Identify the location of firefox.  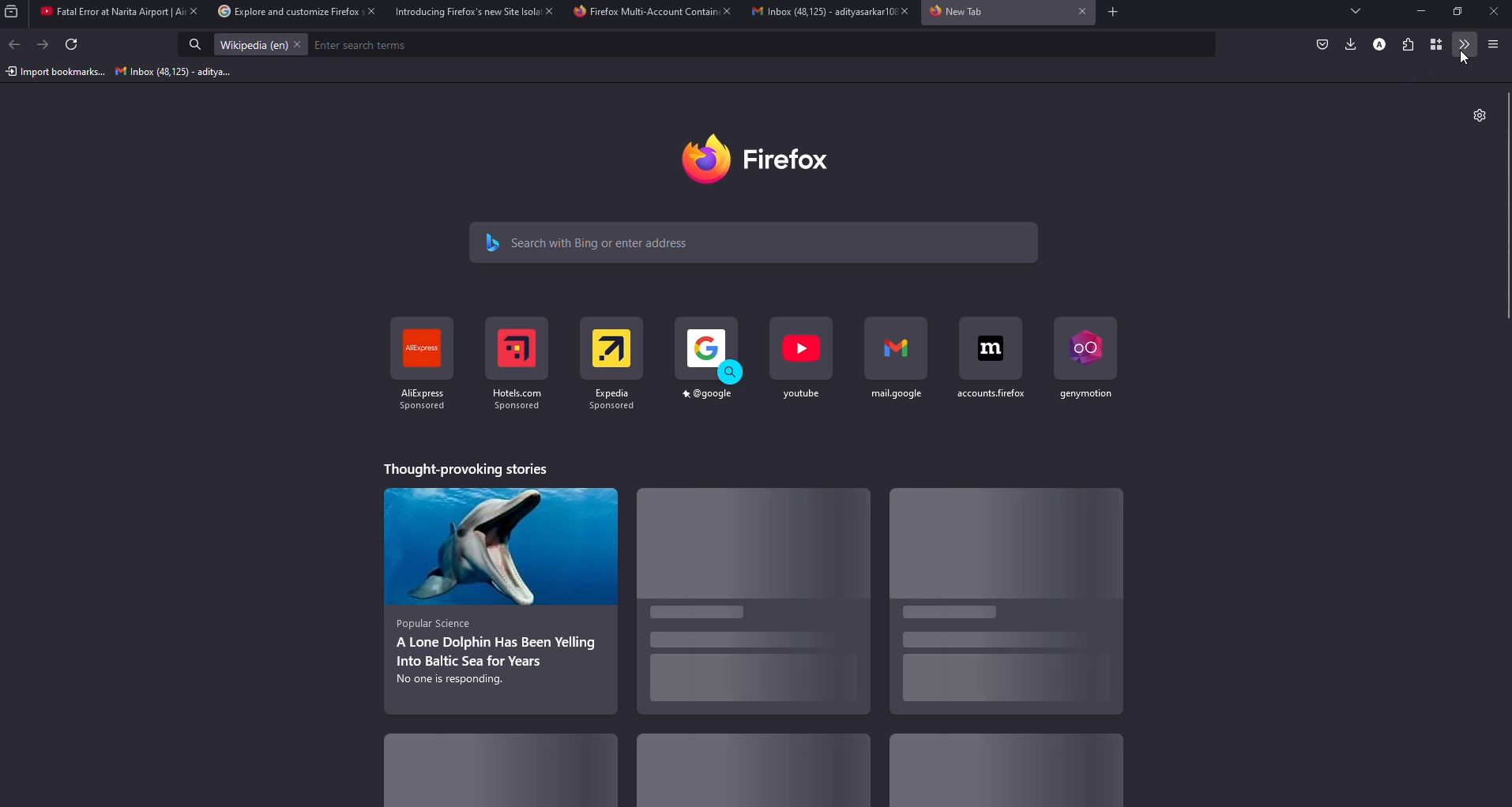
(768, 159).